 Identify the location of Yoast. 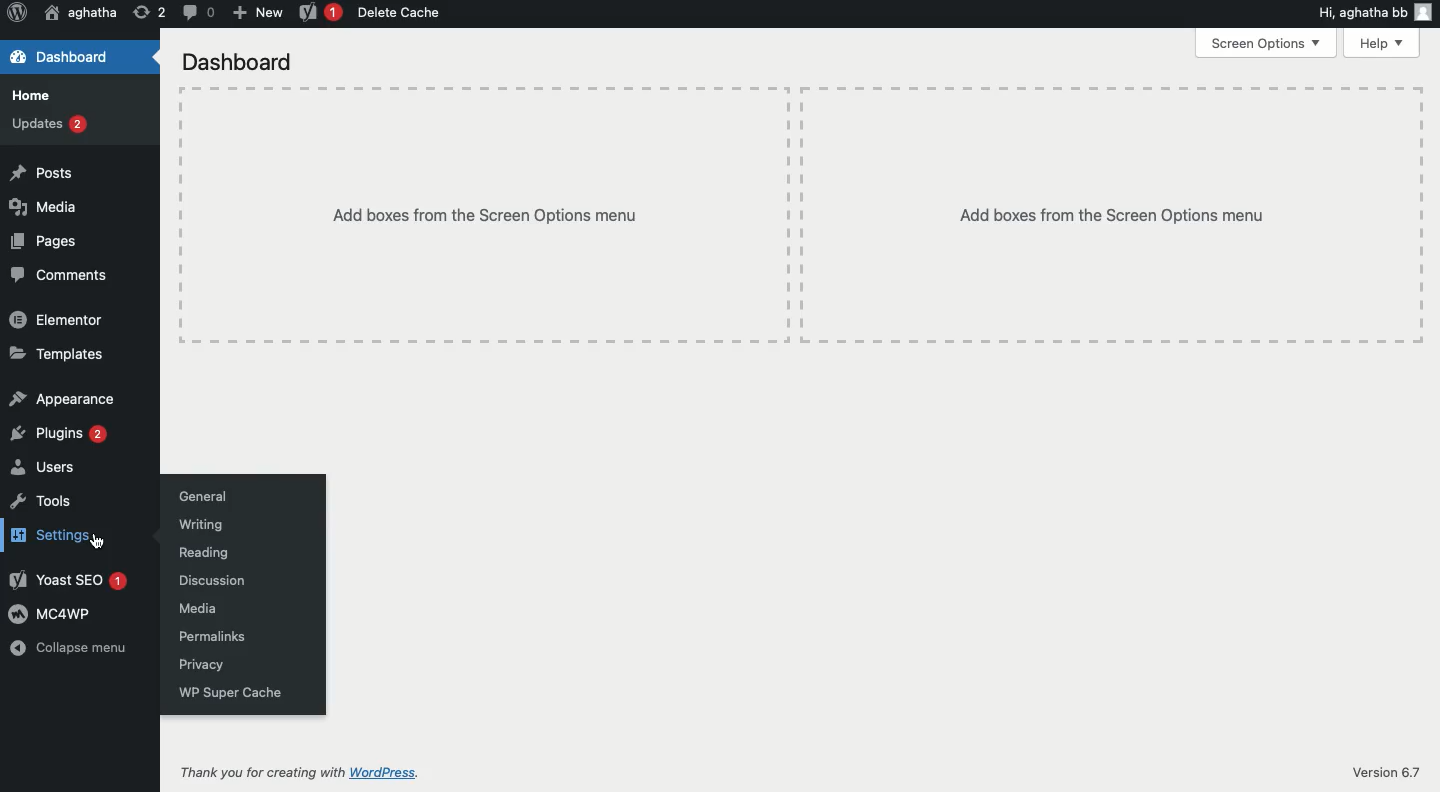
(316, 13).